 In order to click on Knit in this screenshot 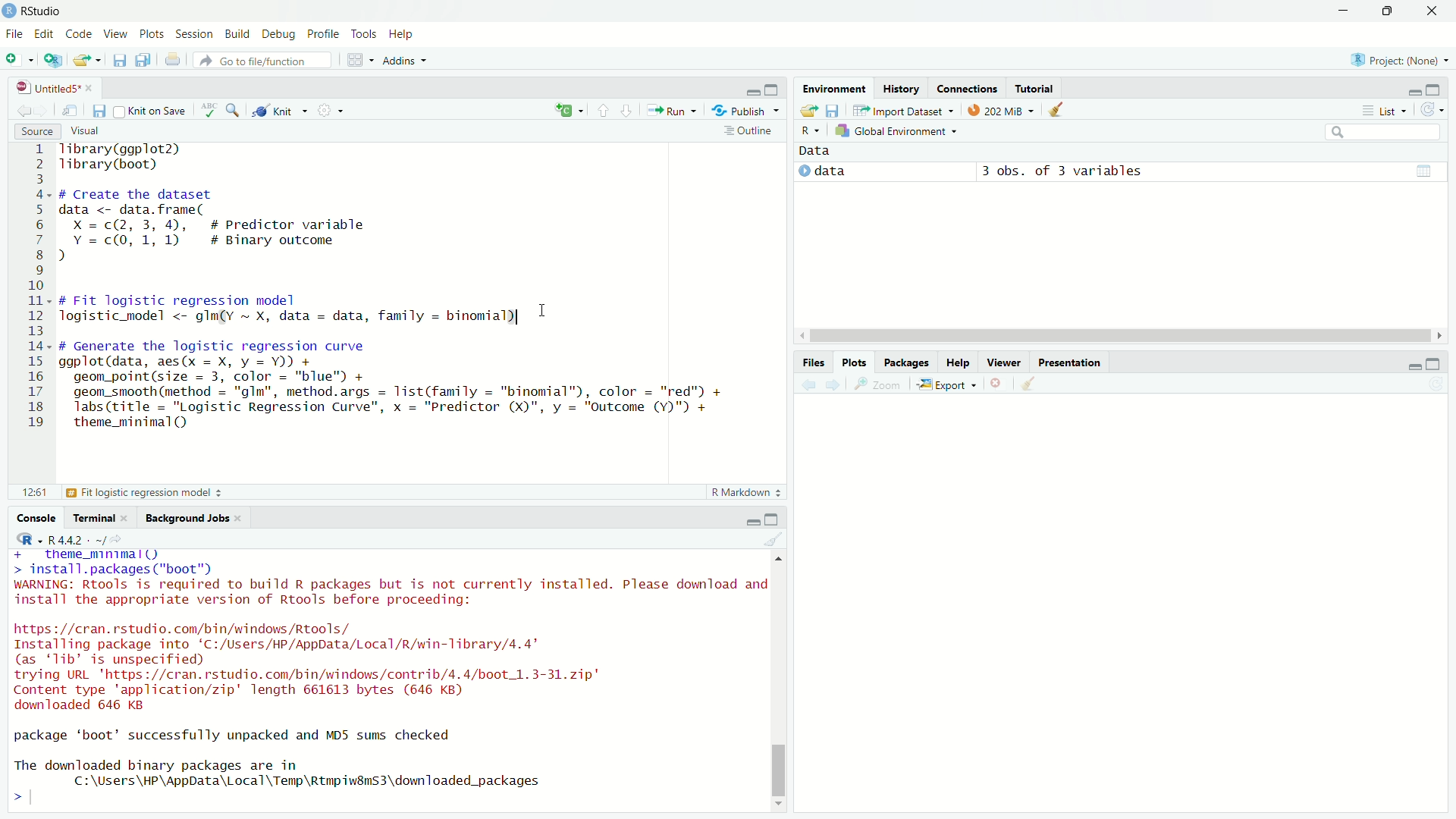, I will do `click(280, 110)`.